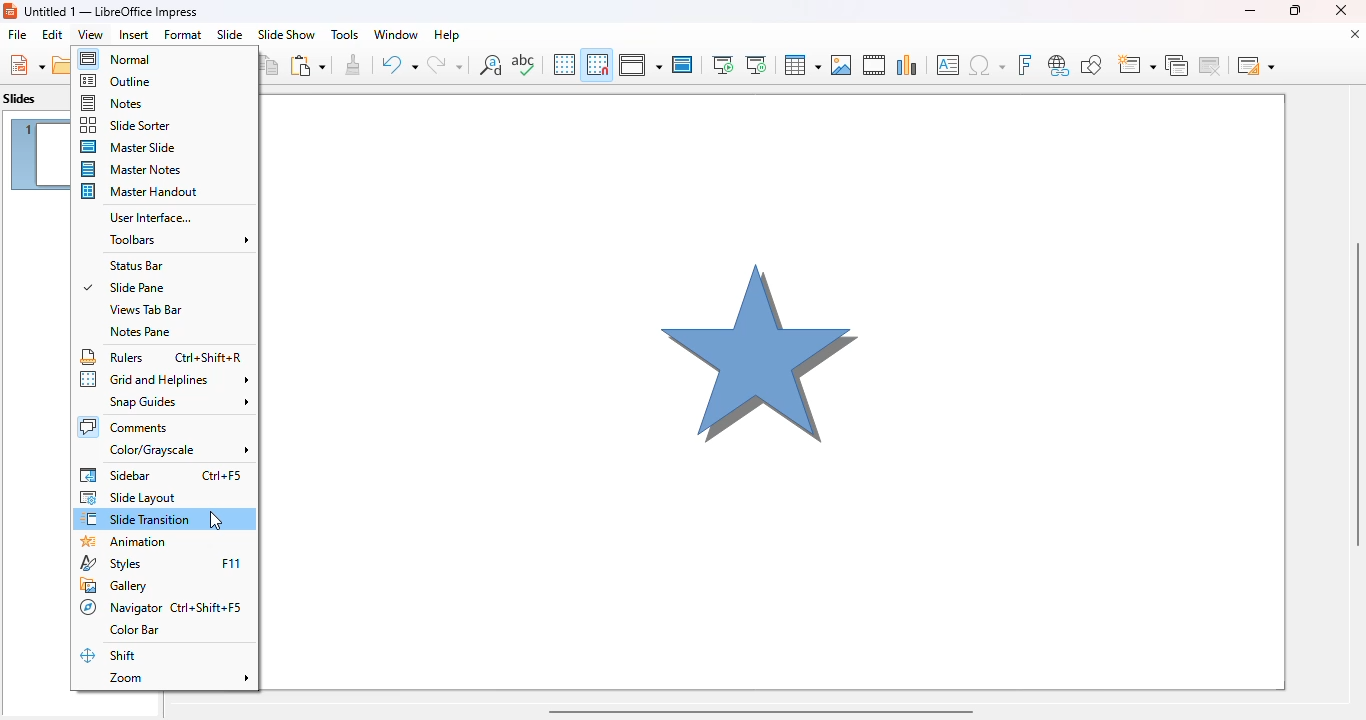  I want to click on gallery, so click(114, 586).